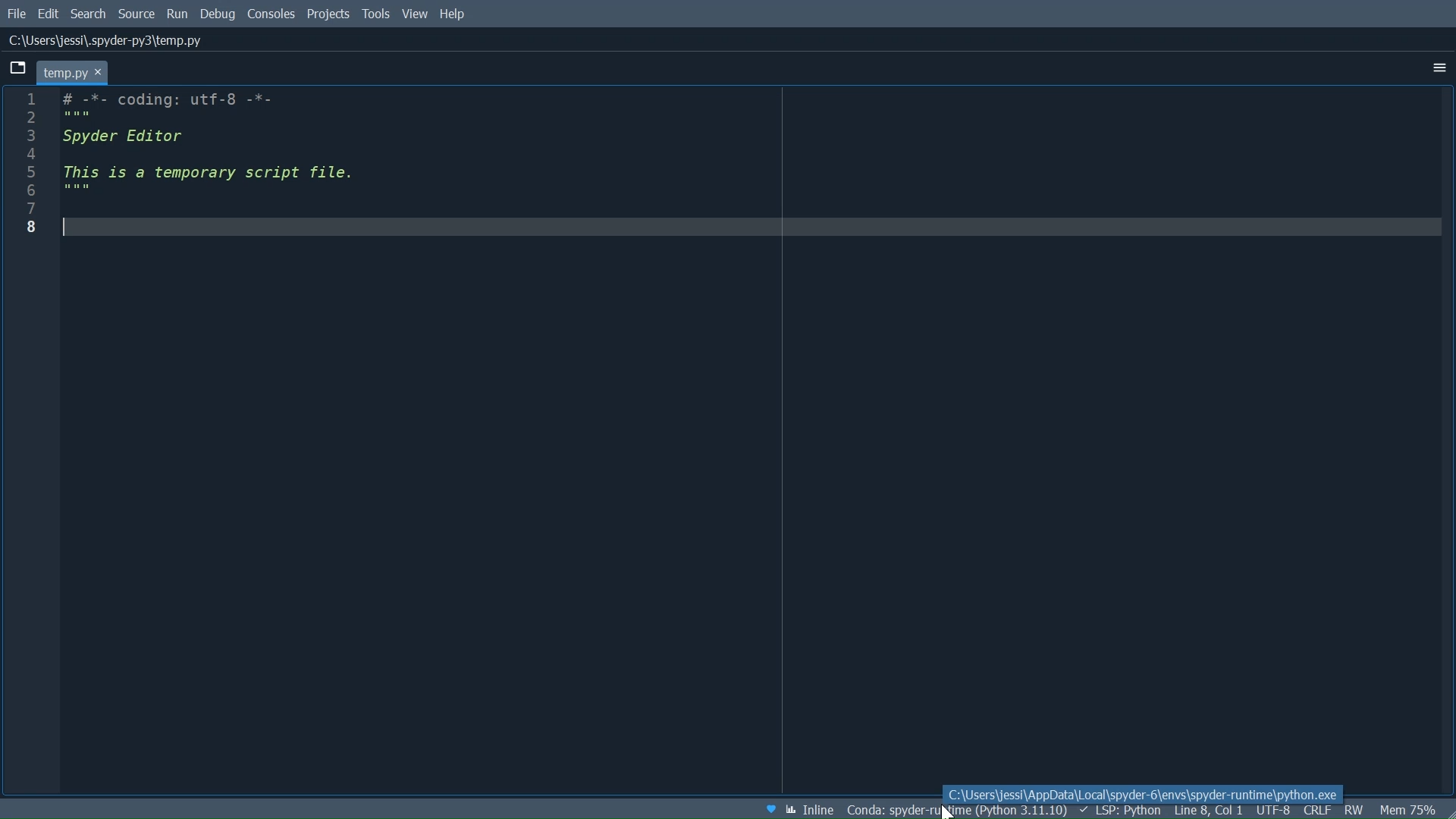 The width and height of the screenshot is (1456, 819). Describe the element at coordinates (1317, 811) in the screenshot. I see `File EQL Status` at that location.